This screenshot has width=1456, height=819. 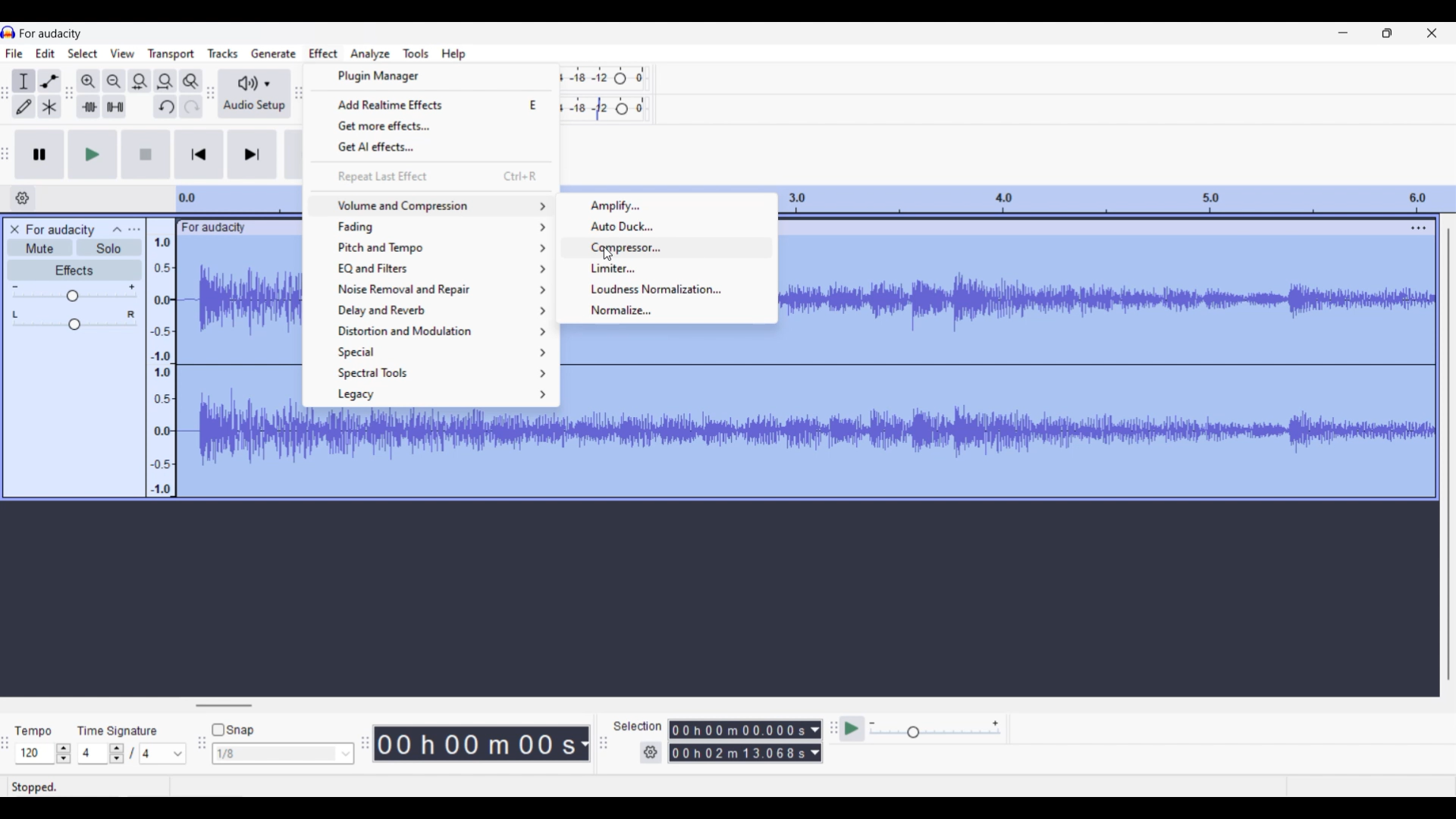 What do you see at coordinates (118, 229) in the screenshot?
I see `Collpase` at bounding box center [118, 229].